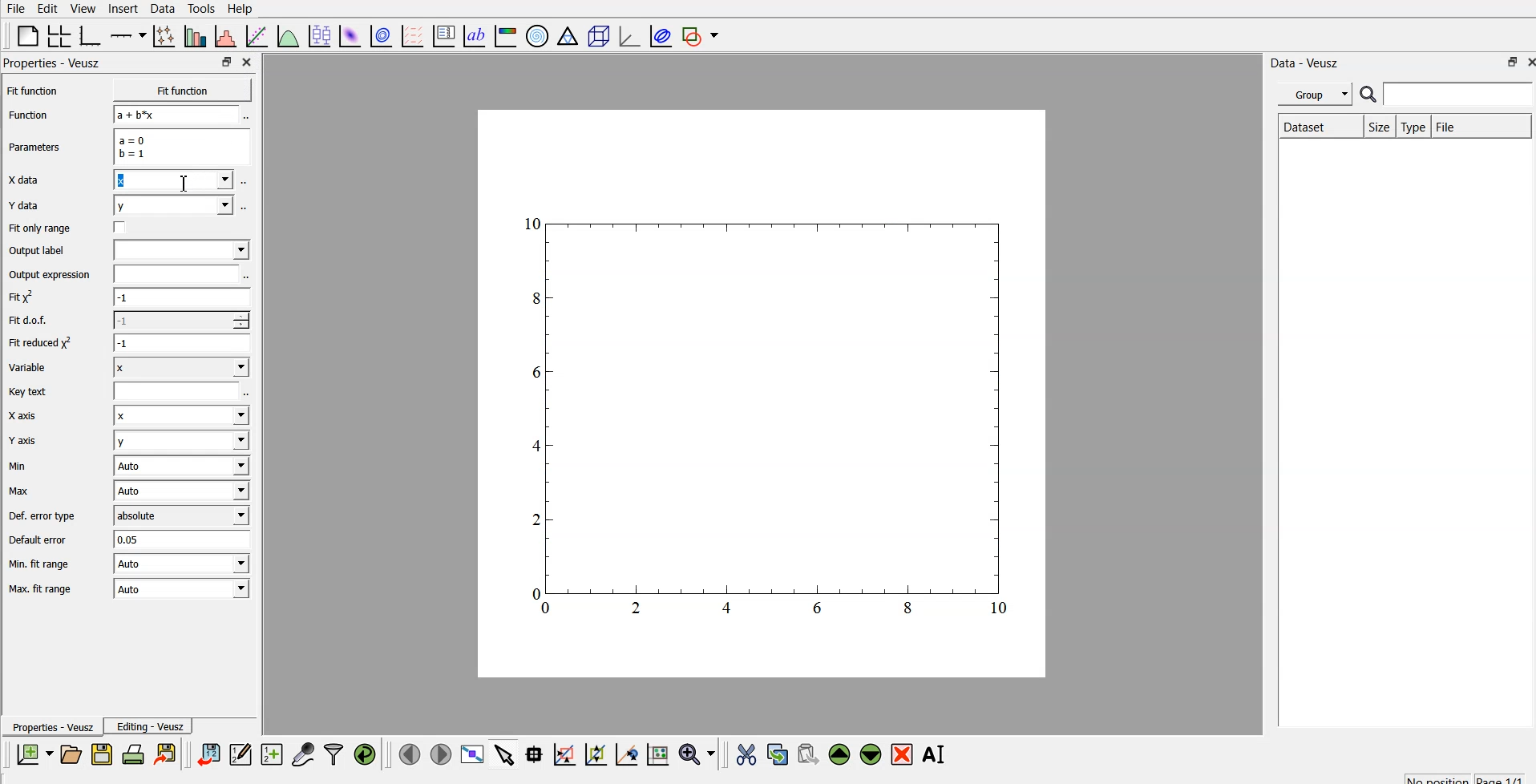  What do you see at coordinates (507, 757) in the screenshot?
I see `select items from graph` at bounding box center [507, 757].